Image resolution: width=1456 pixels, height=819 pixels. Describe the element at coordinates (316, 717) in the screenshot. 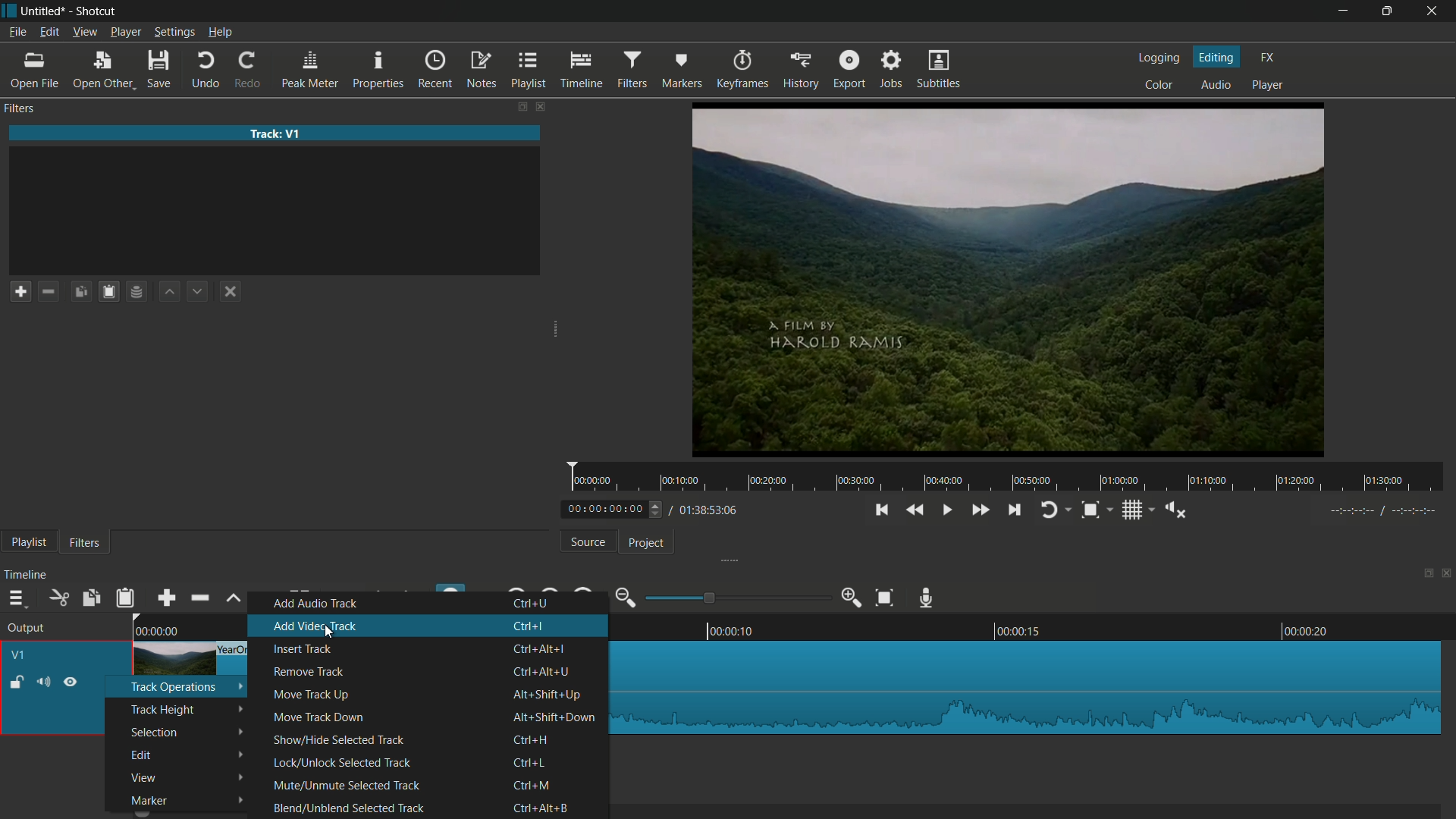

I see `move track down` at that location.